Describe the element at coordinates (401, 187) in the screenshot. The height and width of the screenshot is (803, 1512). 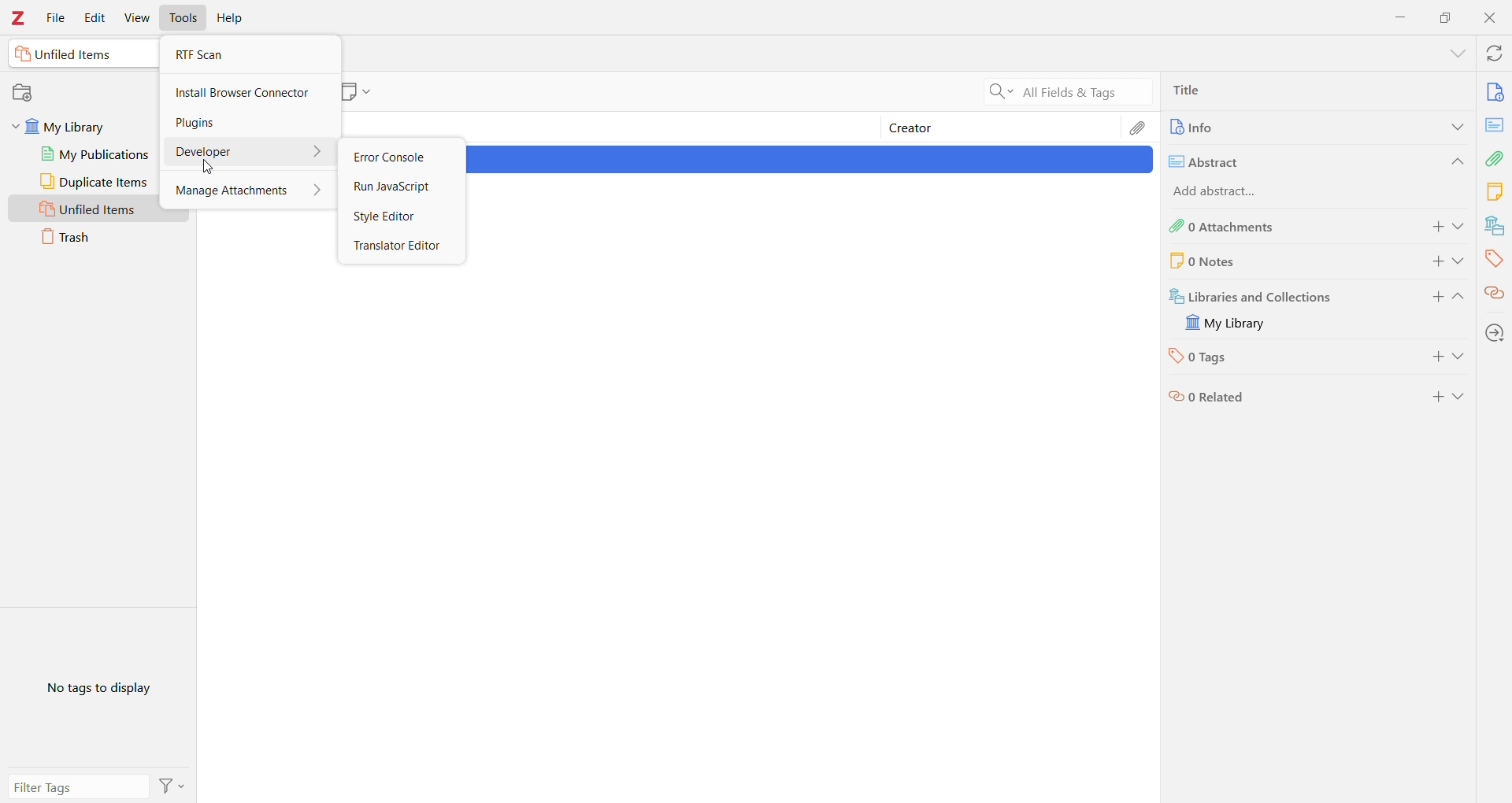
I see `Run JavaScript` at that location.